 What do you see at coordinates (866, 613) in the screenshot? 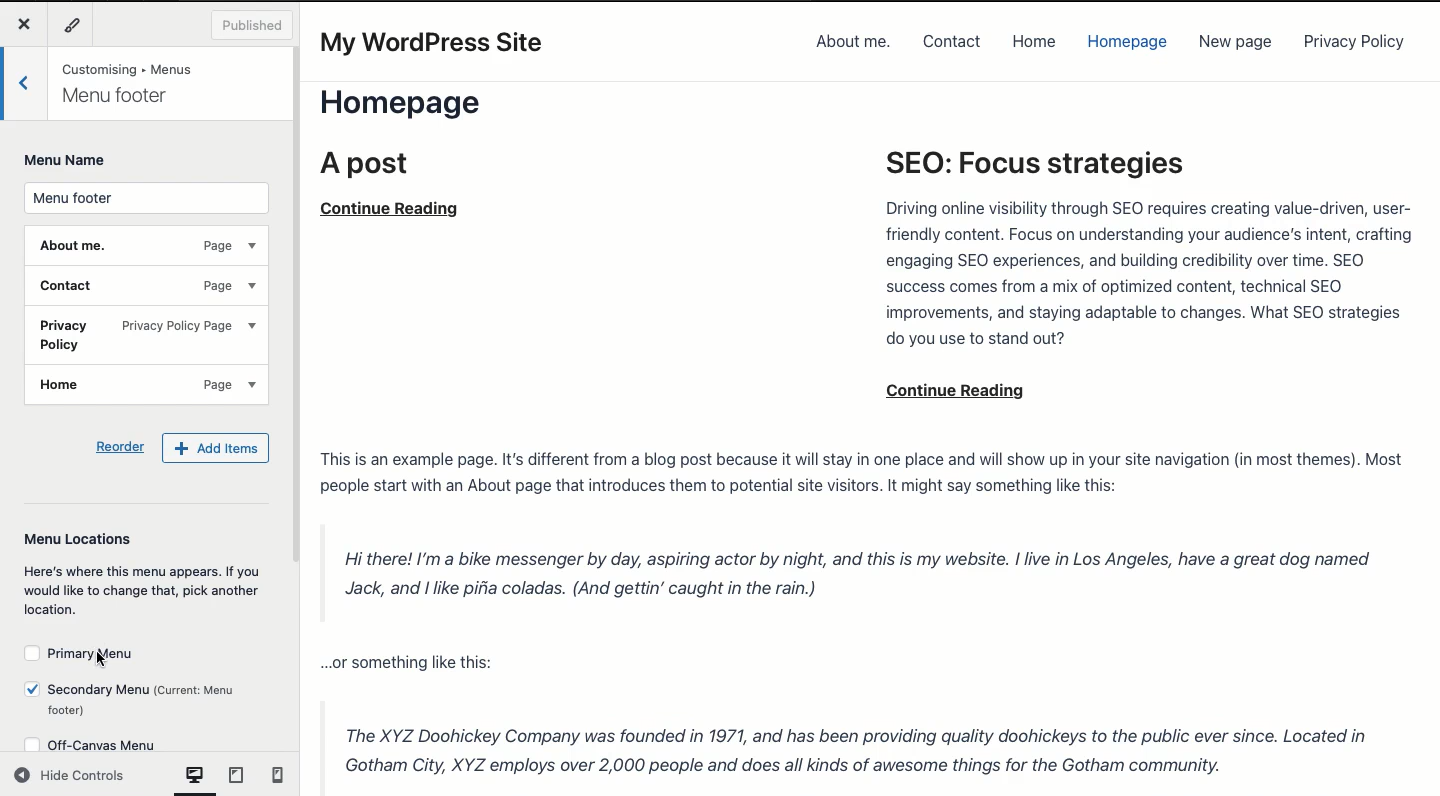
I see `Post content` at bounding box center [866, 613].